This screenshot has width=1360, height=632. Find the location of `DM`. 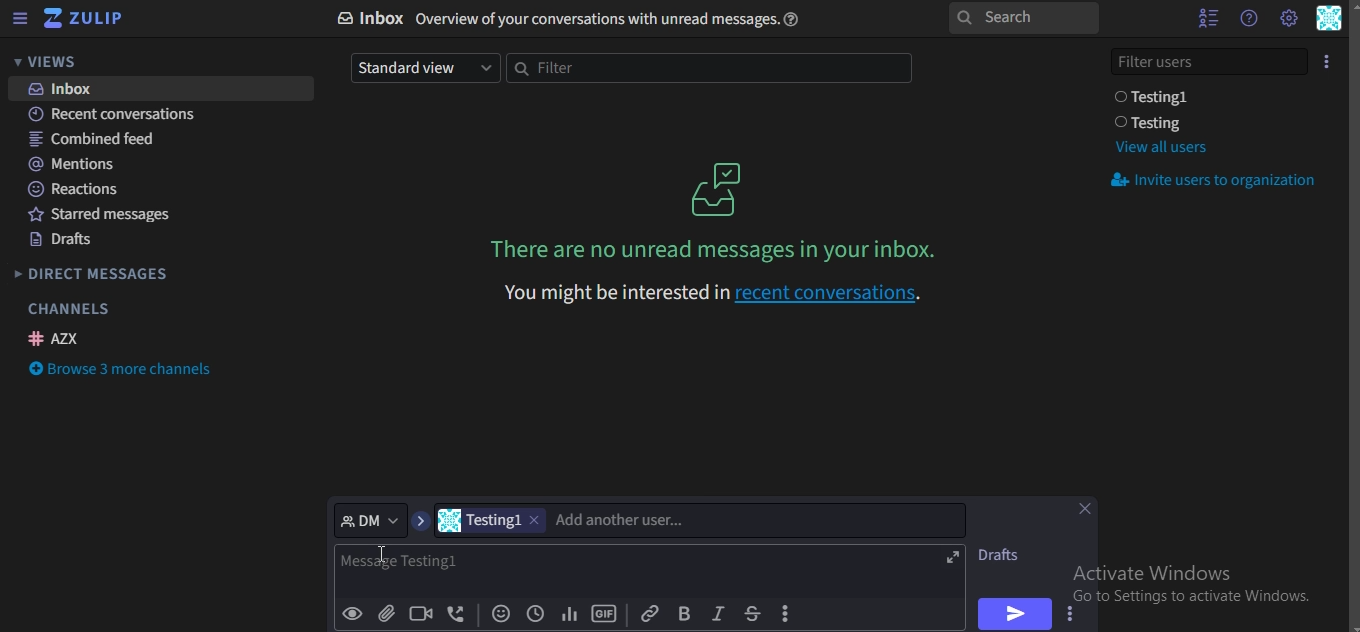

DM is located at coordinates (371, 519).